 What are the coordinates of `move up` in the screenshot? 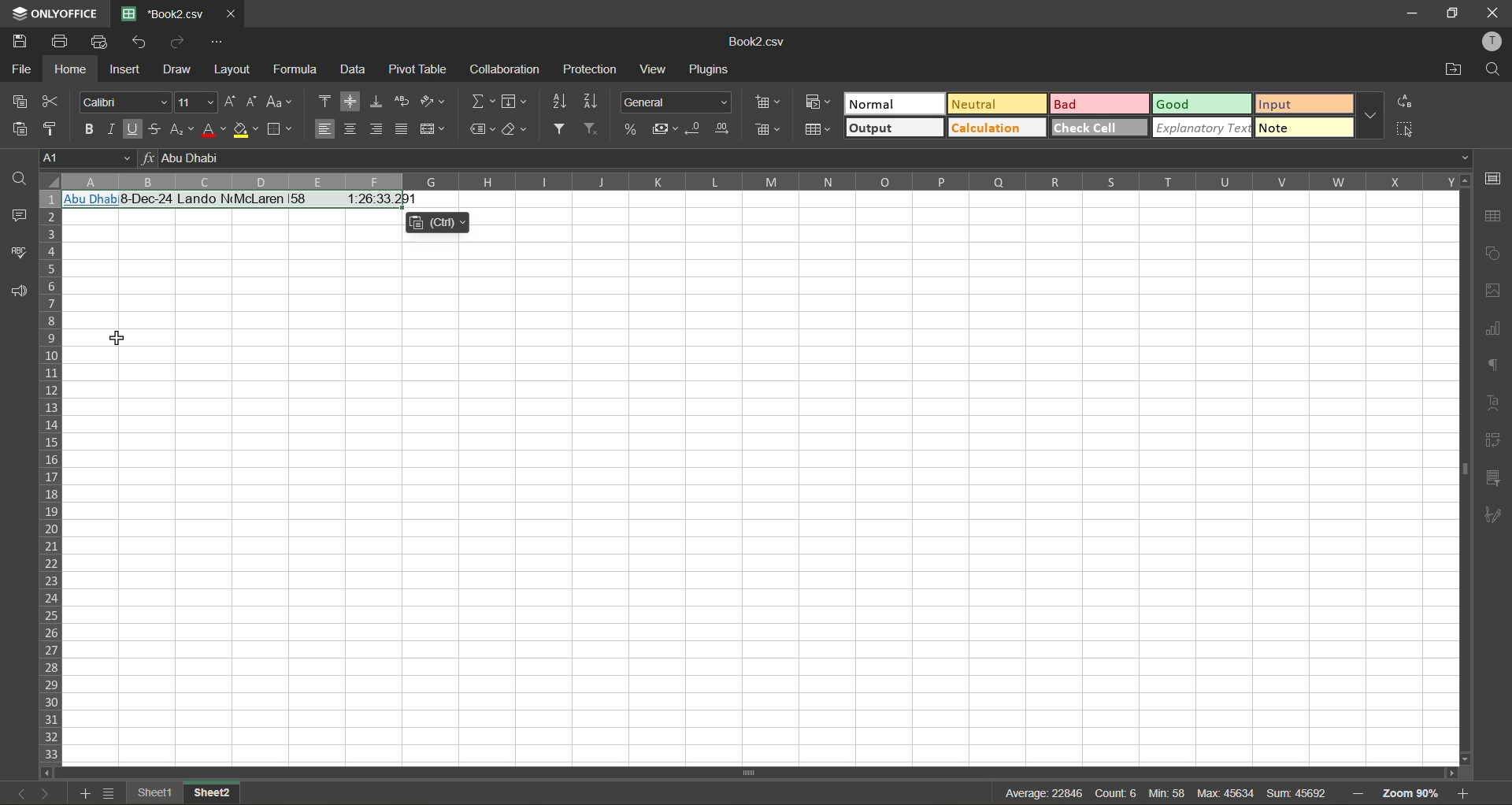 It's located at (1463, 181).